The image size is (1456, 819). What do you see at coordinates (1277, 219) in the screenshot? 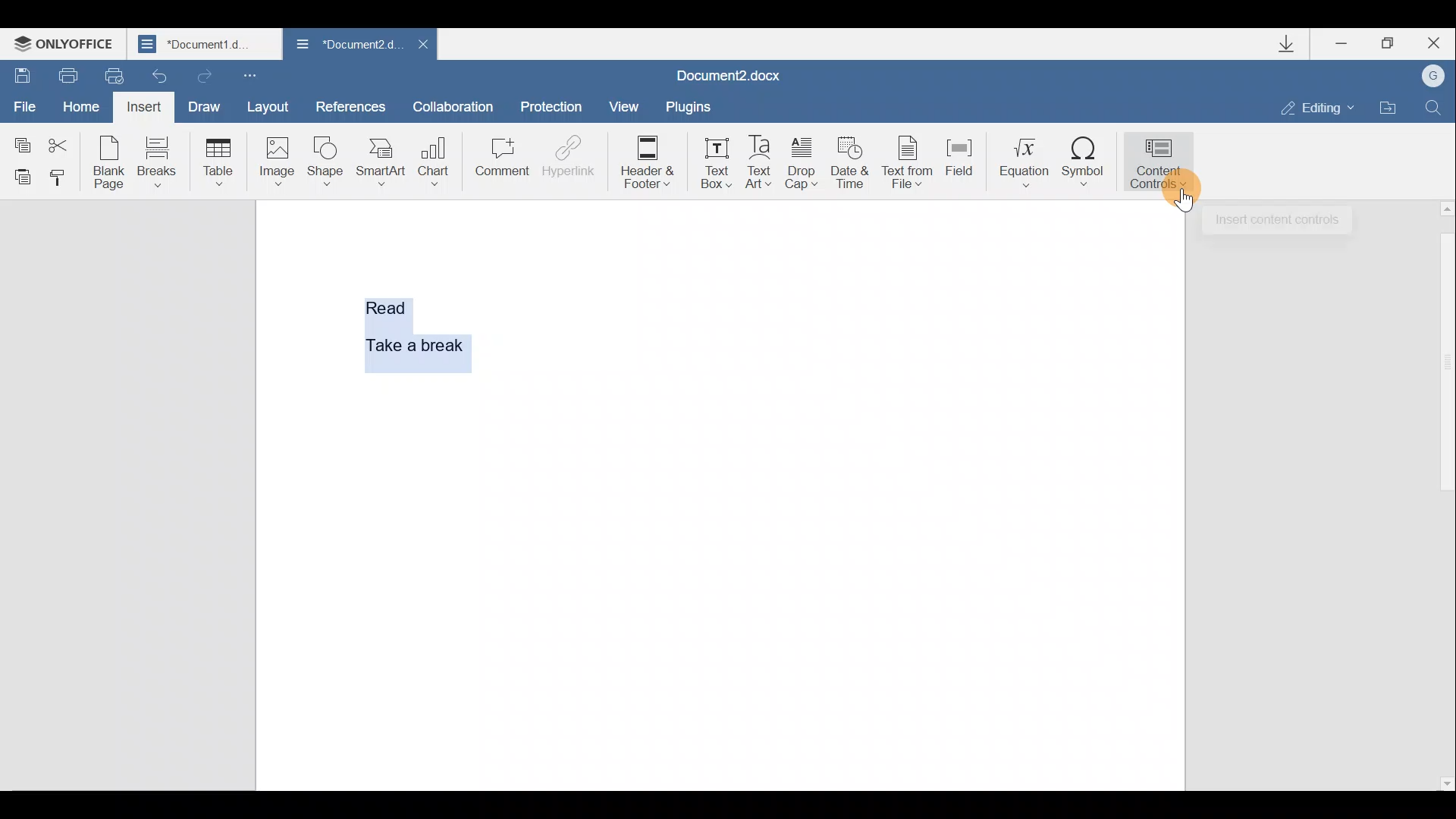
I see `Insert content controls` at bounding box center [1277, 219].